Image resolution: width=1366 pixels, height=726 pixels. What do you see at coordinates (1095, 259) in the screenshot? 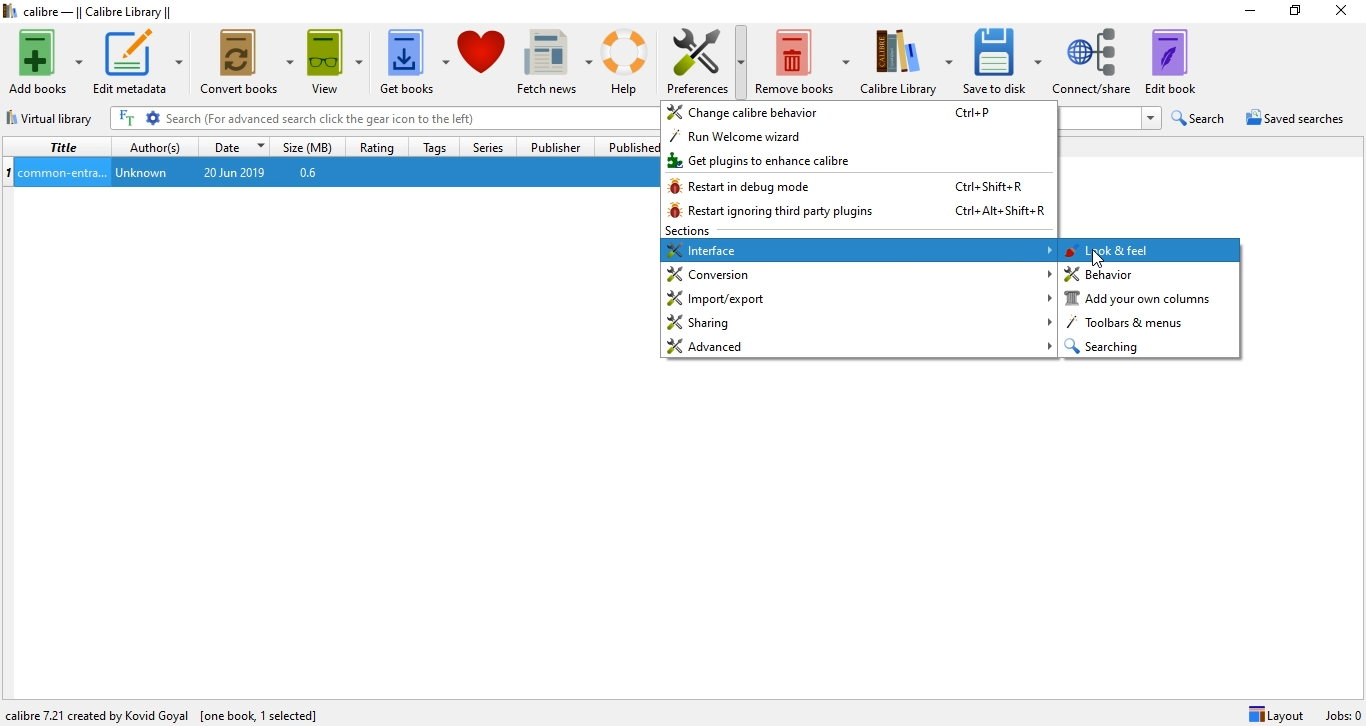
I see `cursor` at bounding box center [1095, 259].